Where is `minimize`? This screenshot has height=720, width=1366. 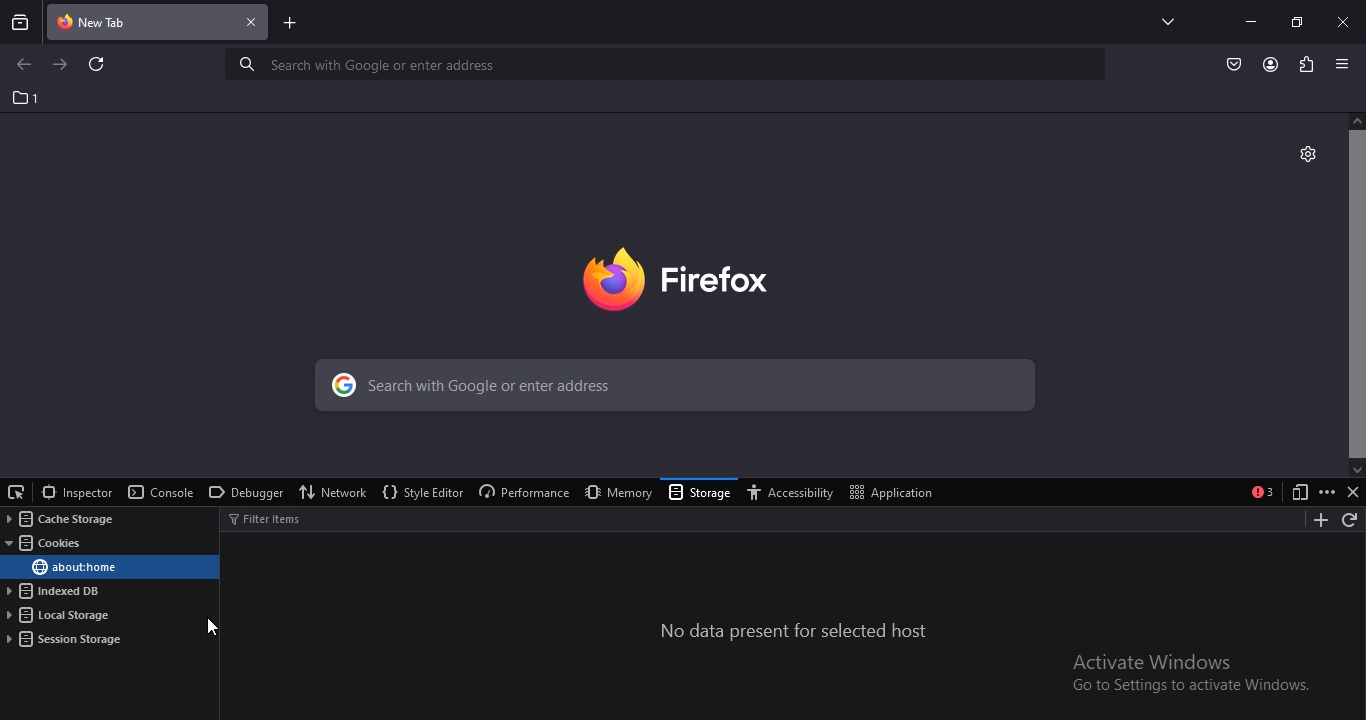
minimize is located at coordinates (1250, 21).